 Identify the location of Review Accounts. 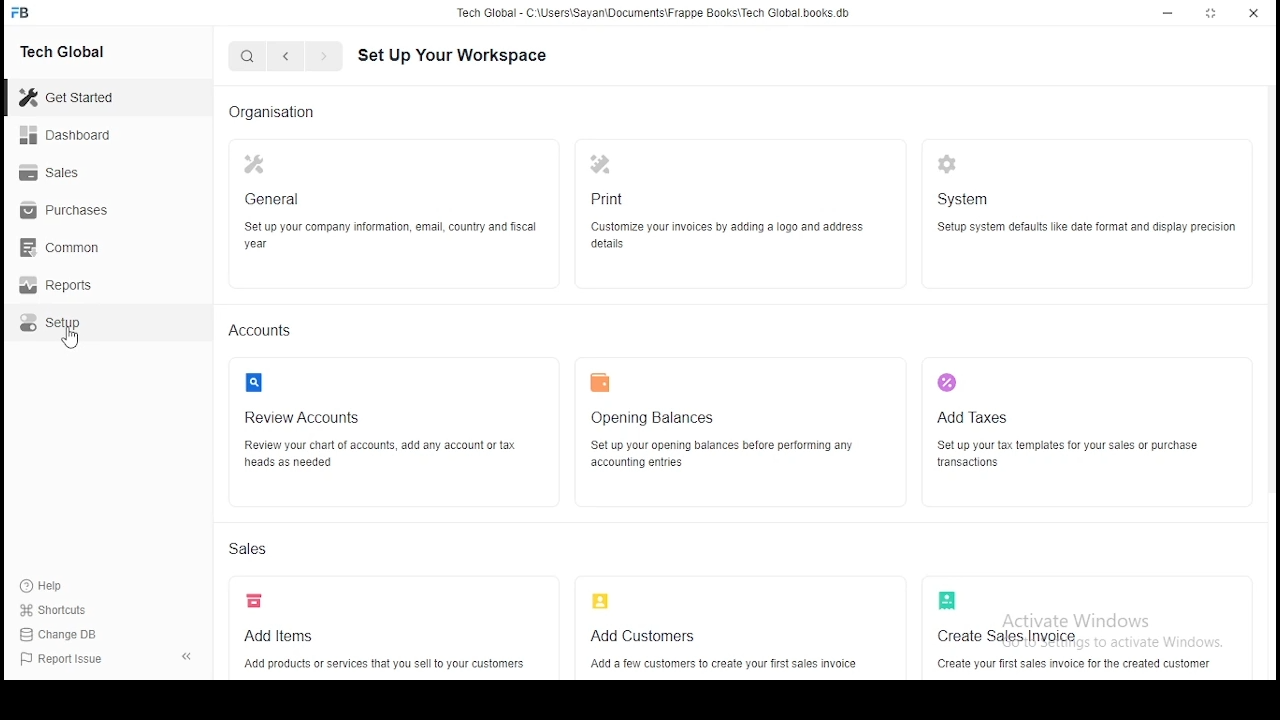
(391, 422).